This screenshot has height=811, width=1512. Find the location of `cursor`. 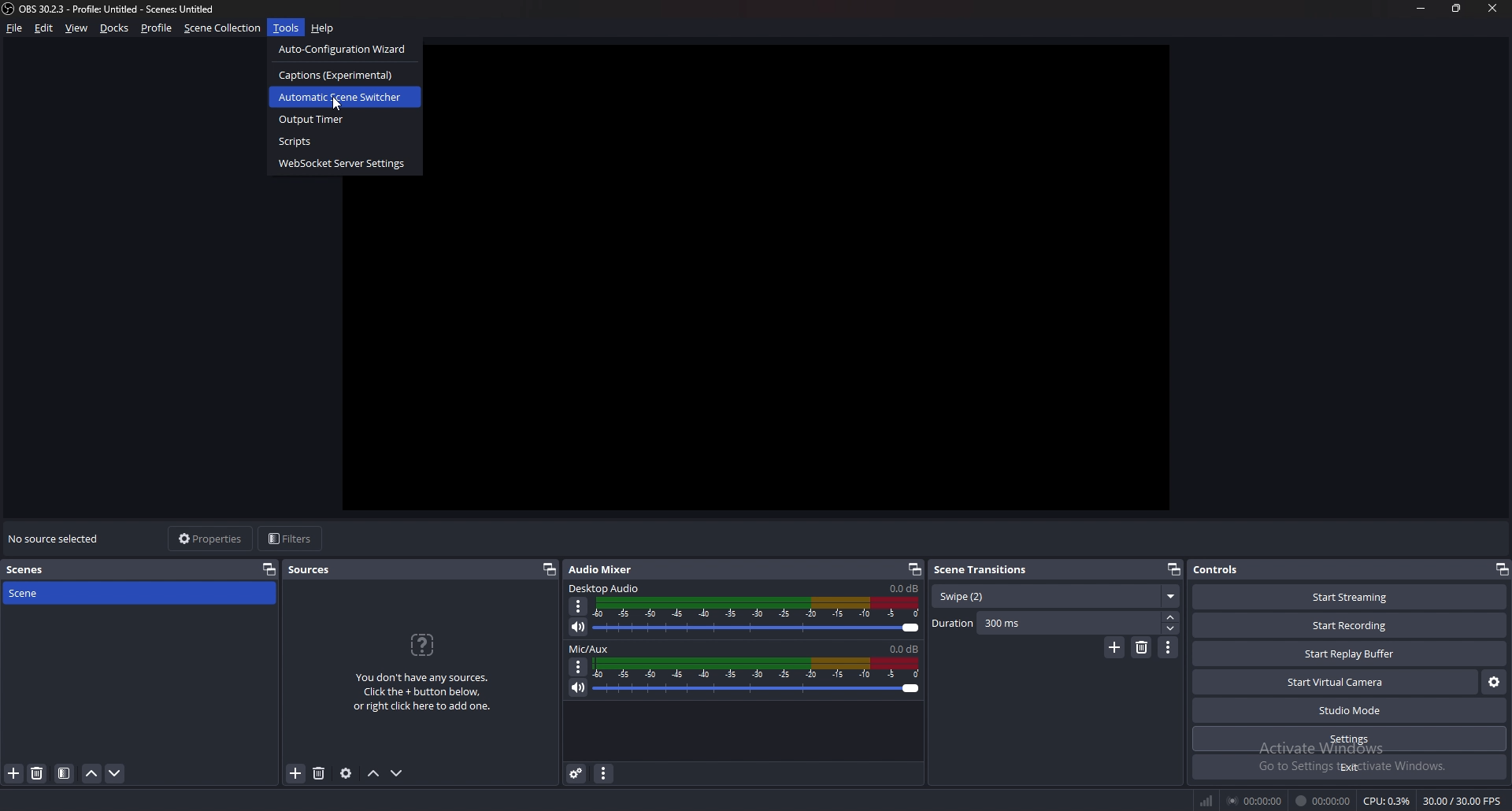

cursor is located at coordinates (340, 106).